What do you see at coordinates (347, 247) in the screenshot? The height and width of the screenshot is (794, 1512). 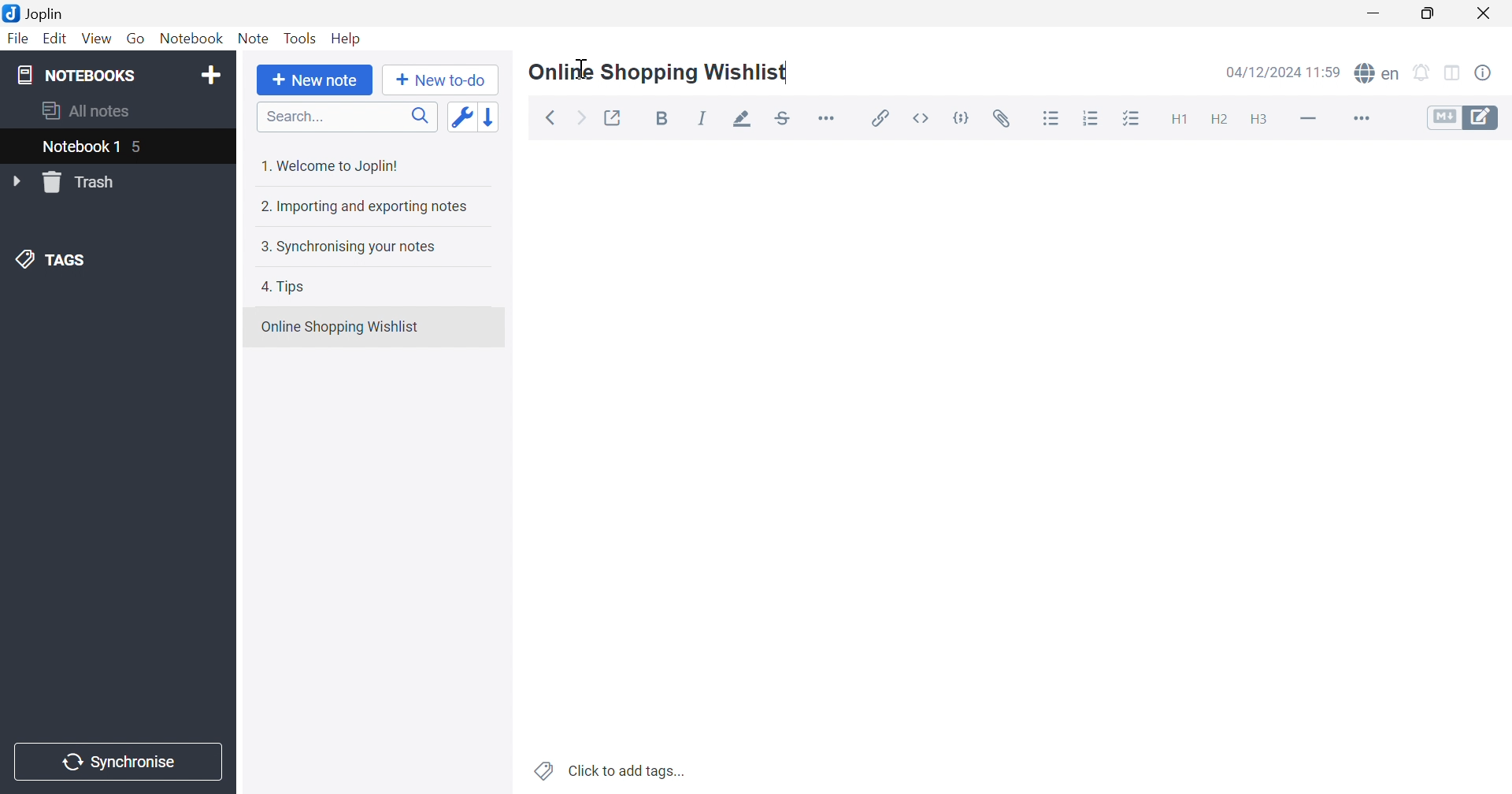 I see `3. Synchronising your notes` at bounding box center [347, 247].